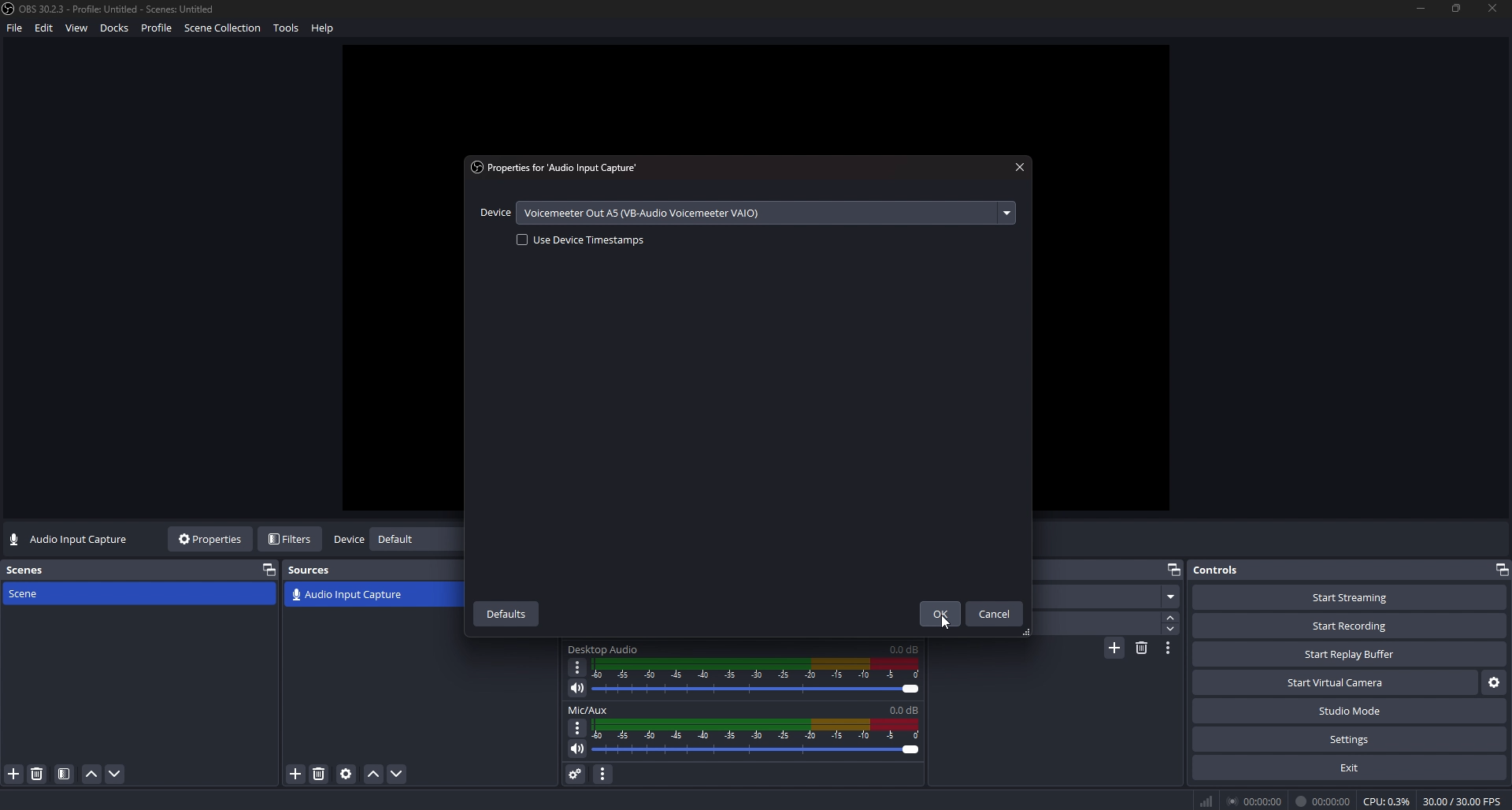  Describe the element at coordinates (1094, 624) in the screenshot. I see `duration` at that location.